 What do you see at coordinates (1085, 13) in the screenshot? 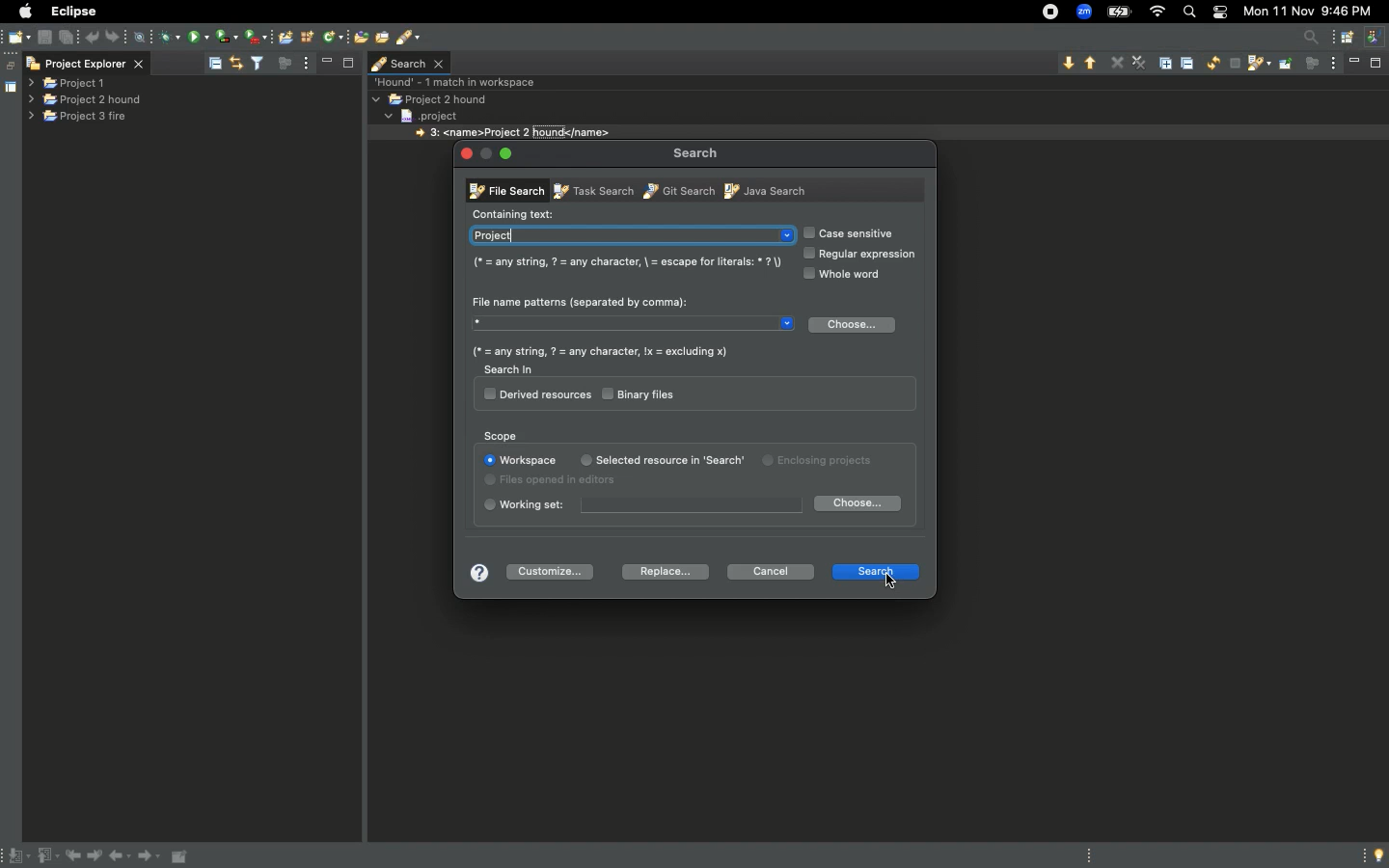
I see `zoom` at bounding box center [1085, 13].